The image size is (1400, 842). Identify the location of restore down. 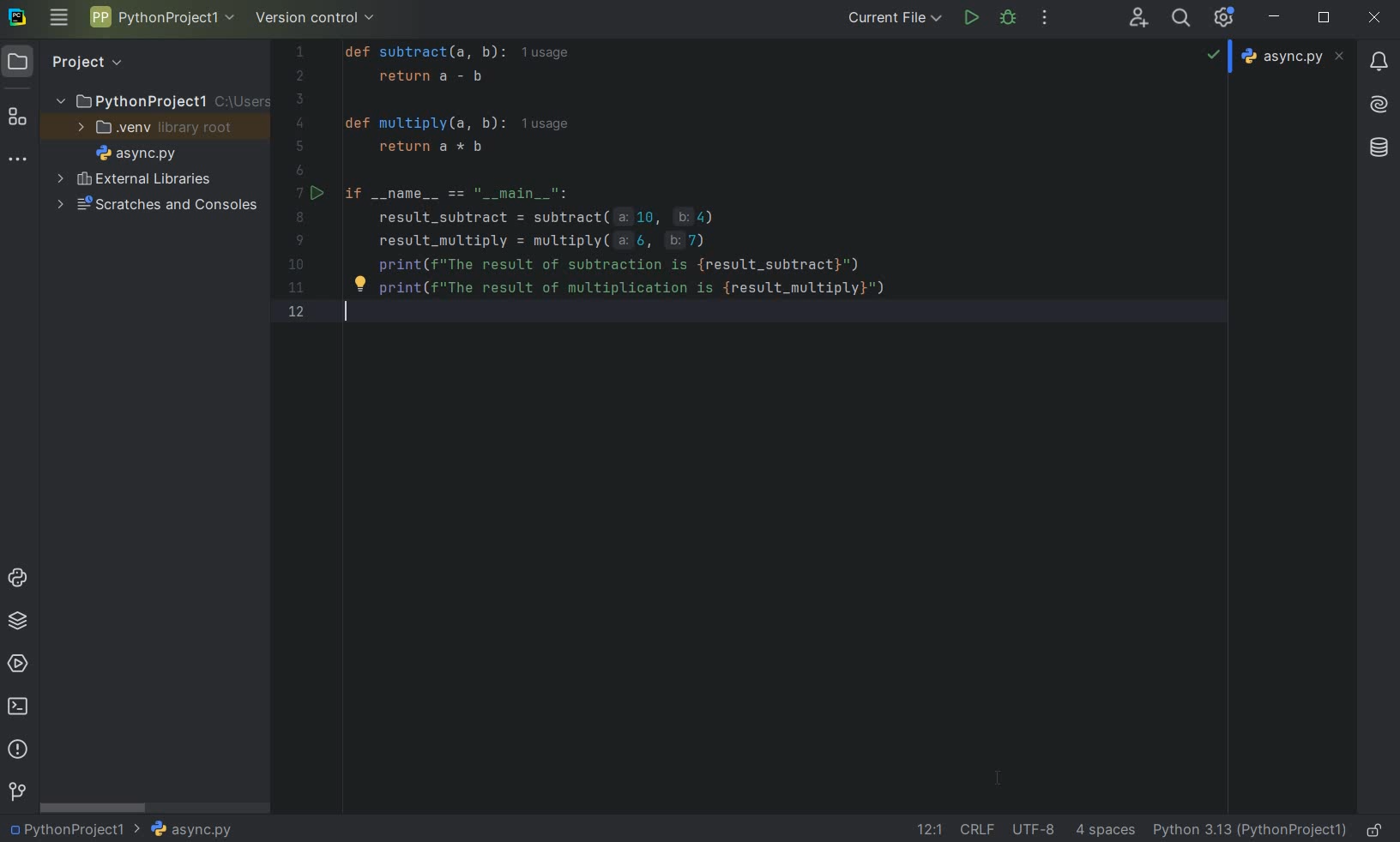
(1326, 20).